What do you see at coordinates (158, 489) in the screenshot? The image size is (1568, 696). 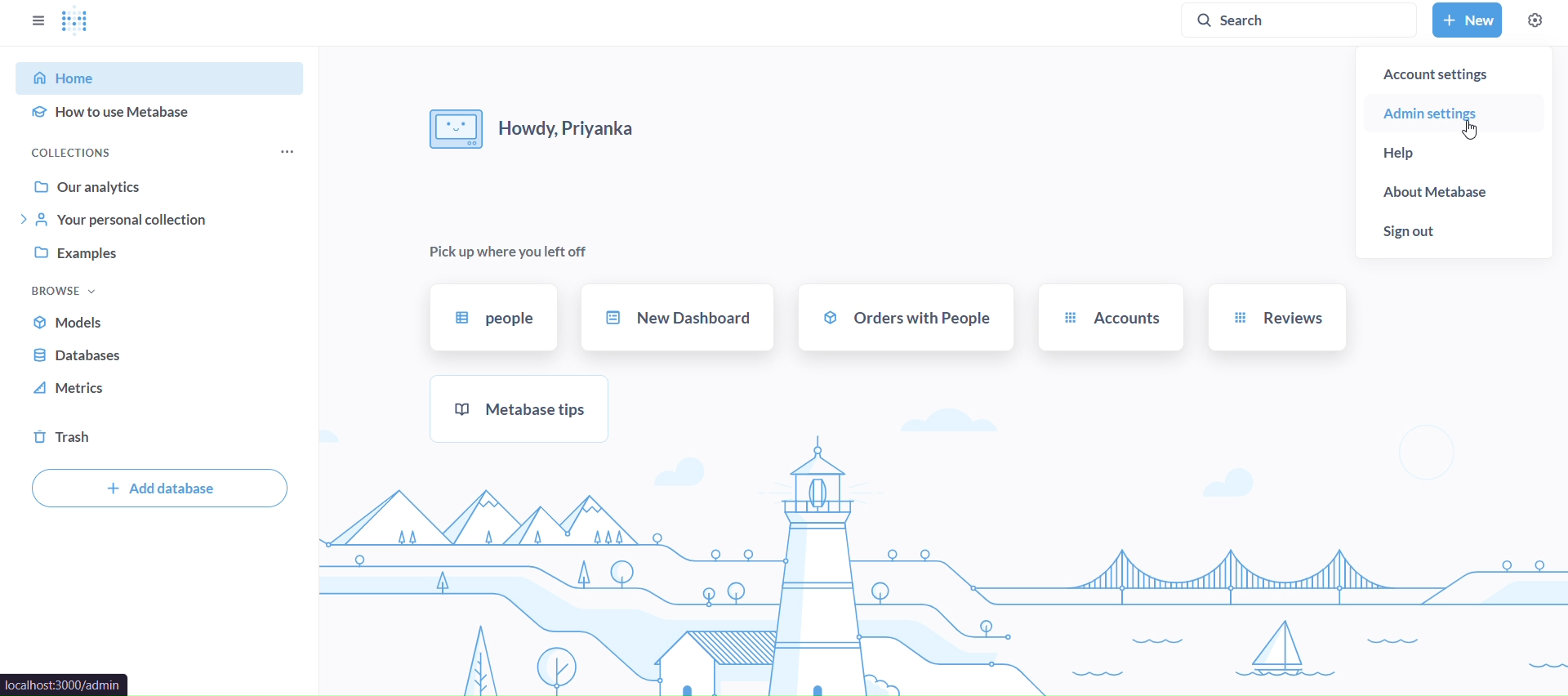 I see `add database` at bounding box center [158, 489].